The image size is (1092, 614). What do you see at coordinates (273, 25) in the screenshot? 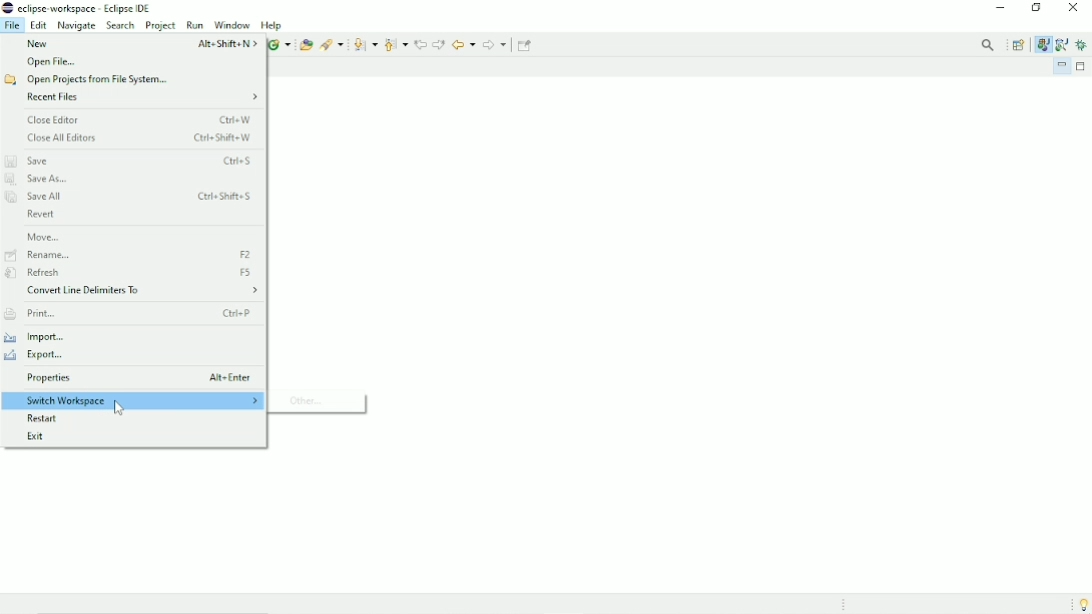
I see `Help` at bounding box center [273, 25].